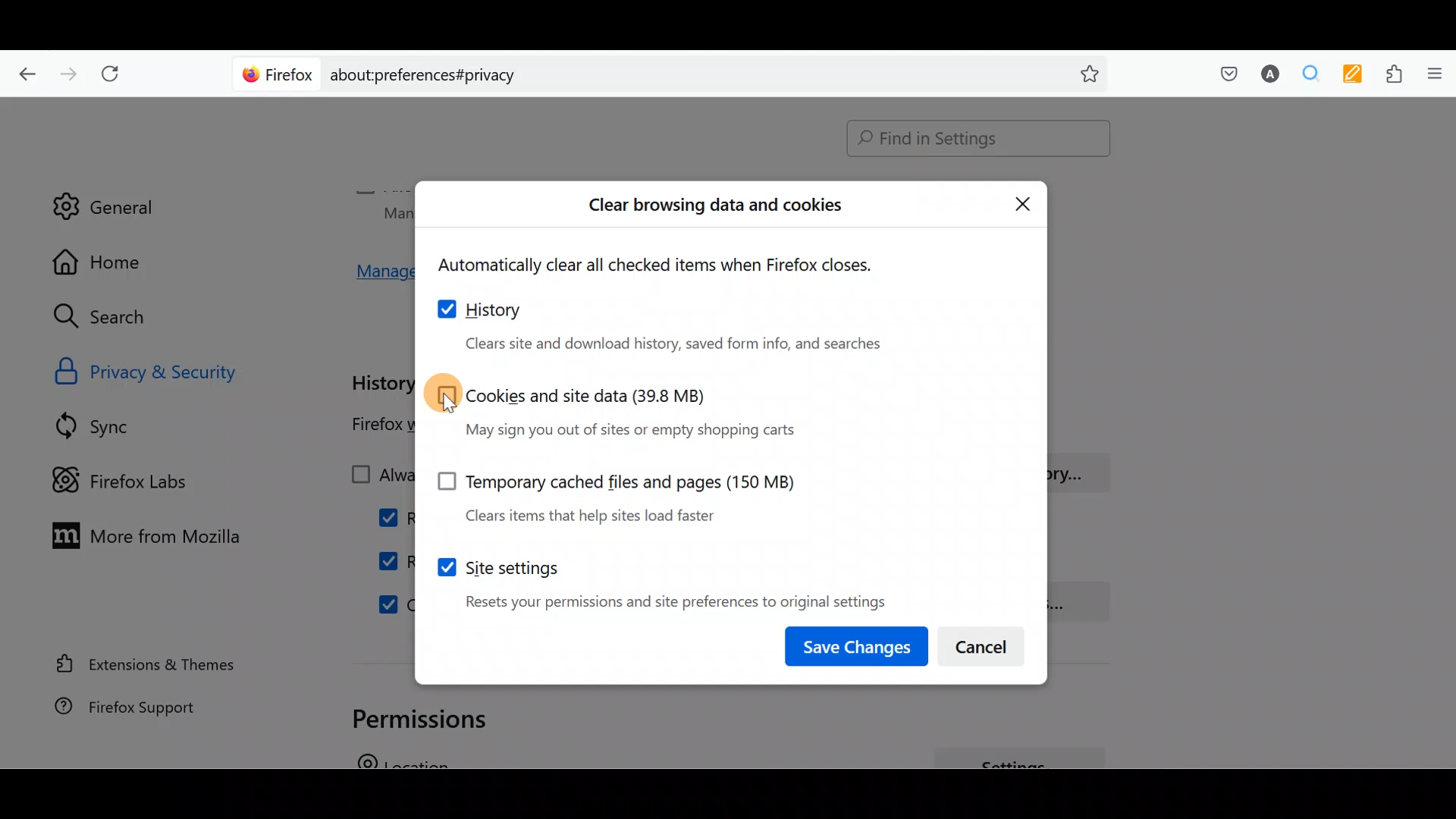 The width and height of the screenshot is (1456, 819). What do you see at coordinates (184, 370) in the screenshot?
I see `Privacy & security` at bounding box center [184, 370].